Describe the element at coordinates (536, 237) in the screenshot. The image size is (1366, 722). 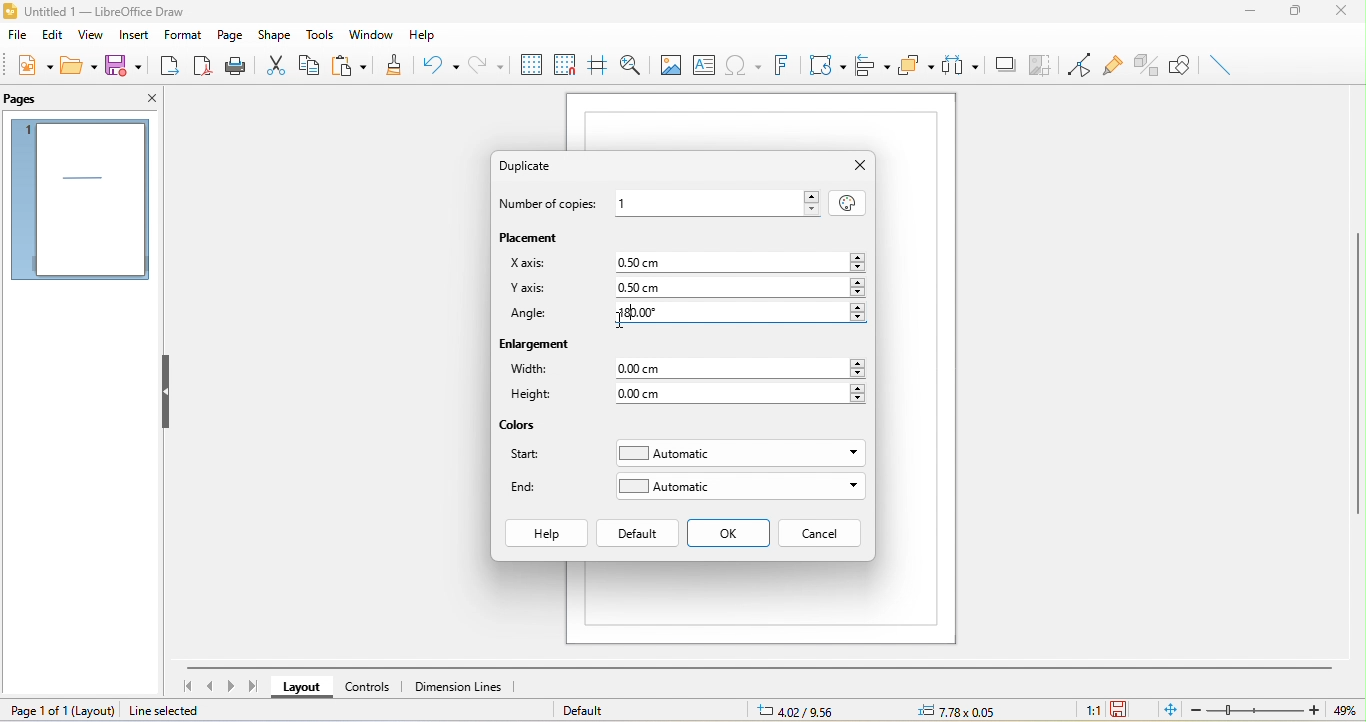
I see `placement` at that location.